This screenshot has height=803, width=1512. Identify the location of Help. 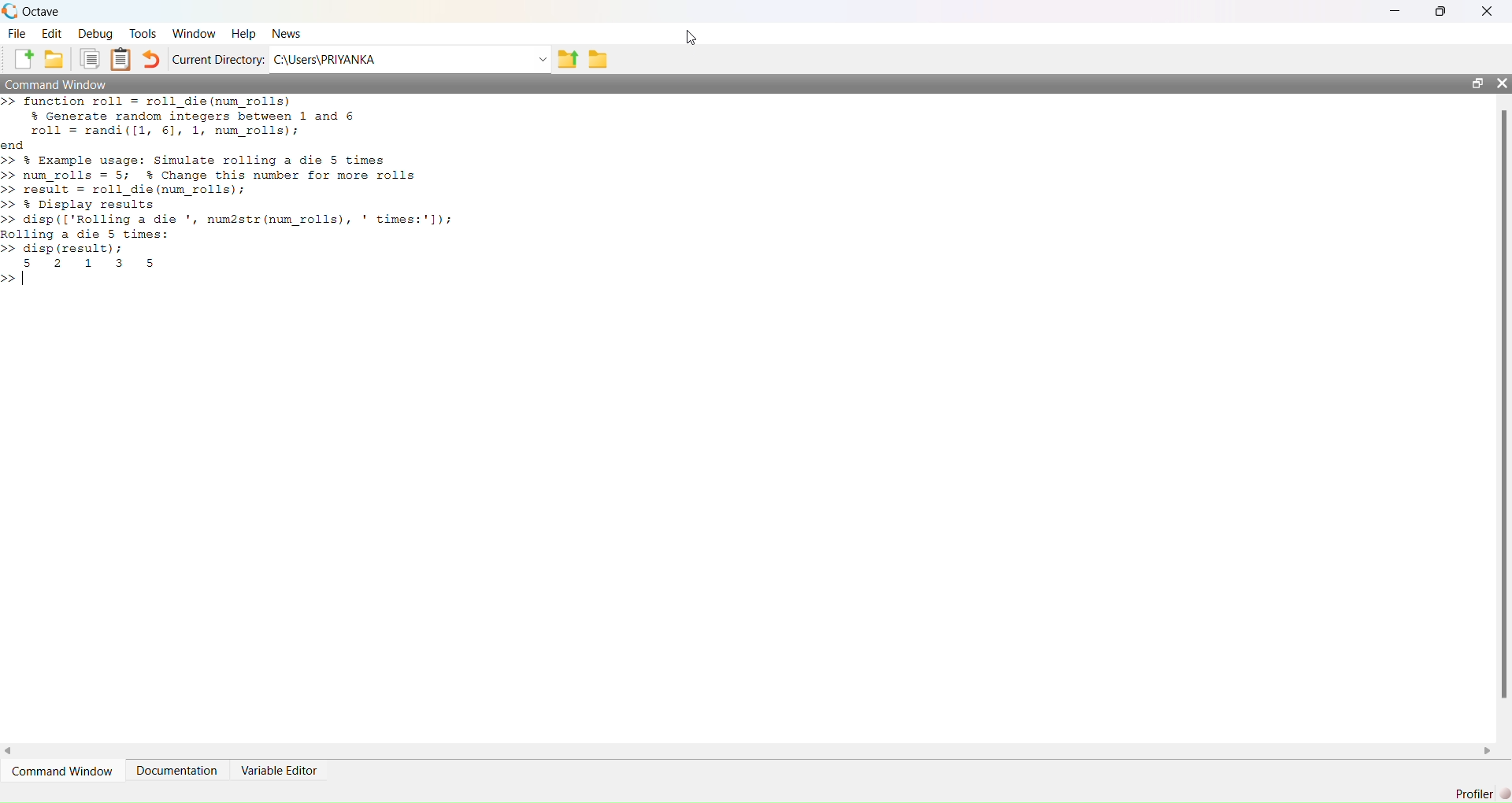
(243, 34).